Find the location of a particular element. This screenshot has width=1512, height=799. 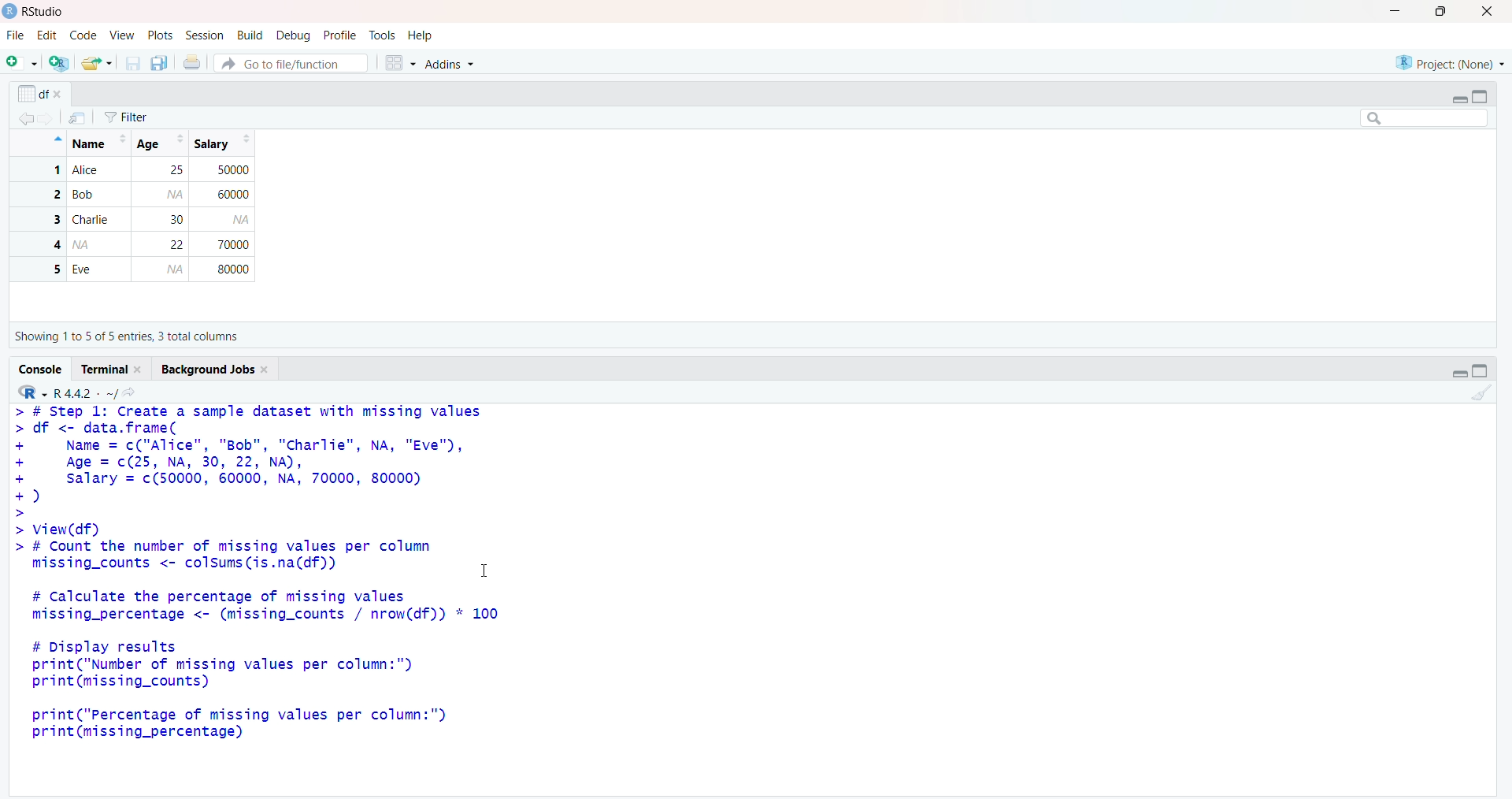

Open an existing file (Ctrl + O) is located at coordinates (94, 63).